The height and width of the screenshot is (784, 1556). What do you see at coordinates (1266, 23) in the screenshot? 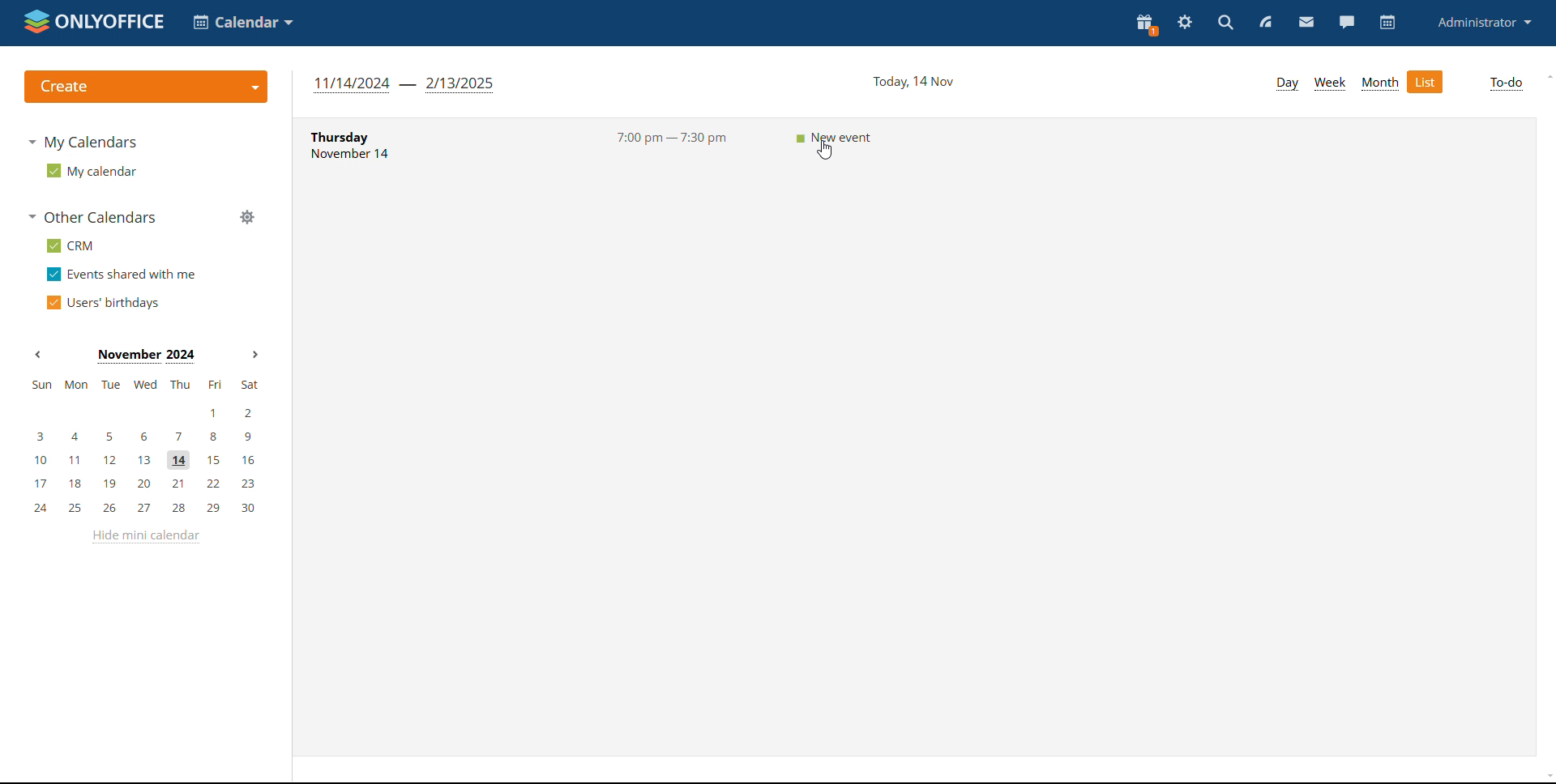
I see `feed` at bounding box center [1266, 23].